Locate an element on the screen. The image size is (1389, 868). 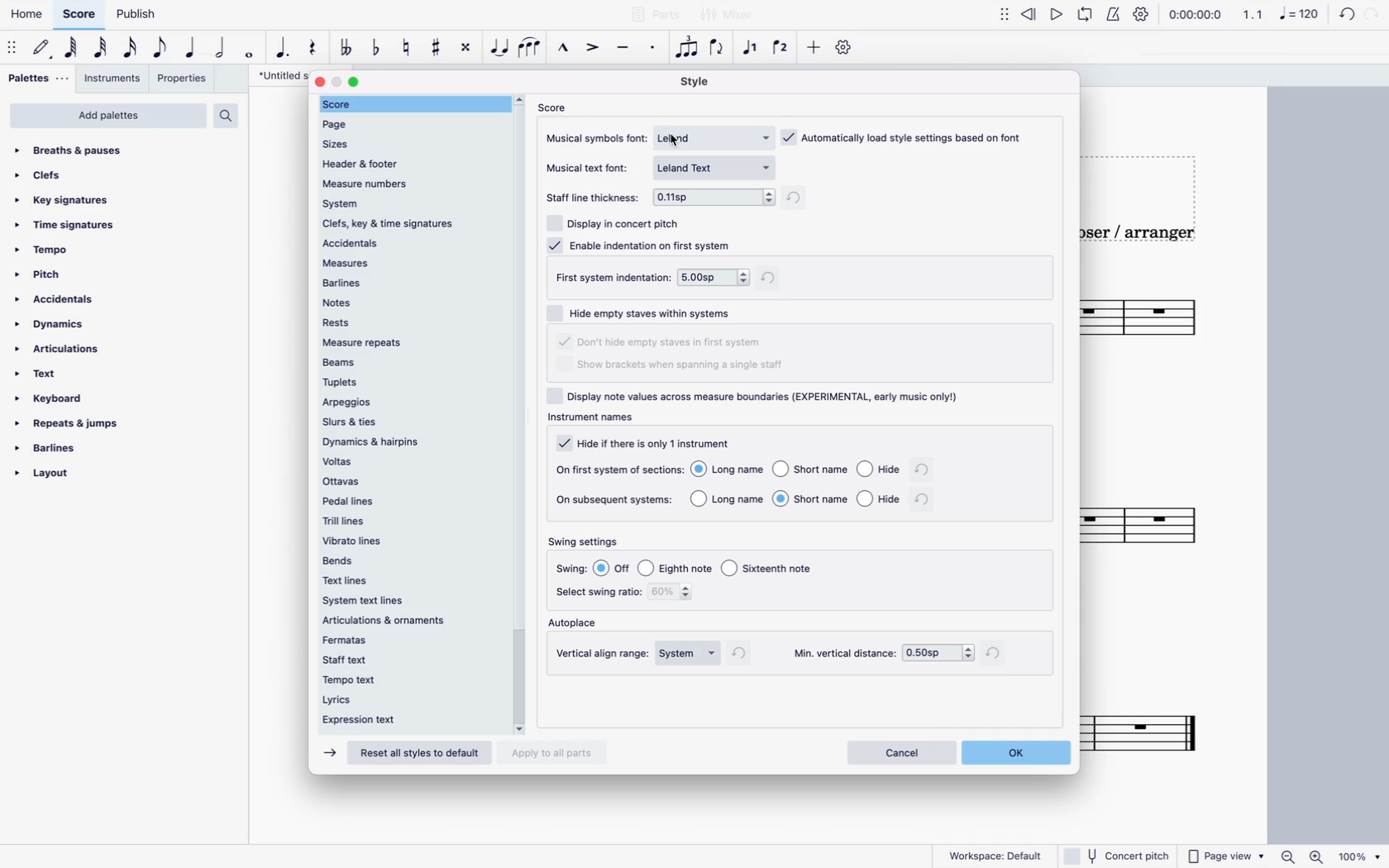
Workspace: Default is located at coordinates (995, 854).